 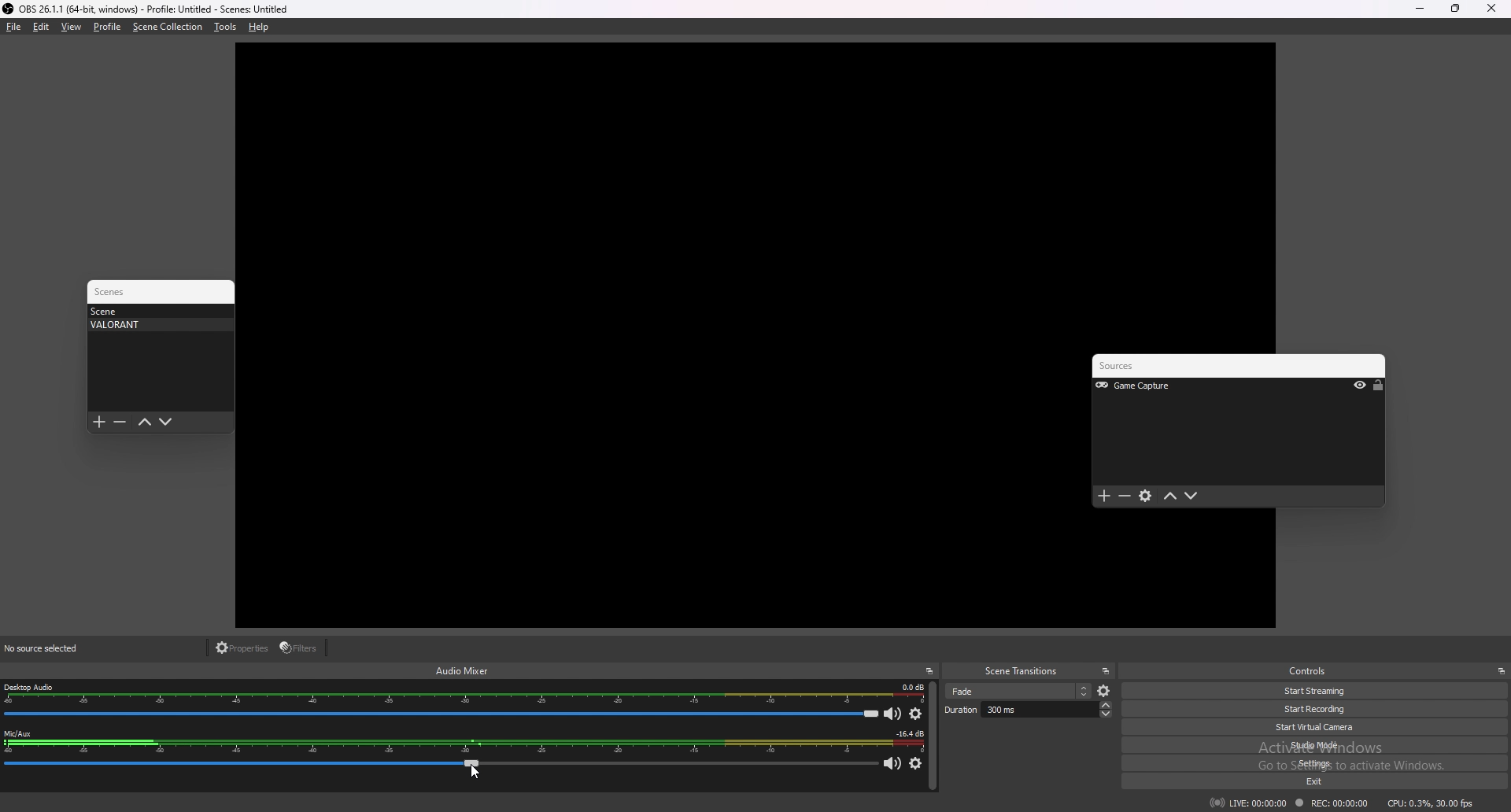 I want to click on mic/aux settings, so click(x=915, y=764).